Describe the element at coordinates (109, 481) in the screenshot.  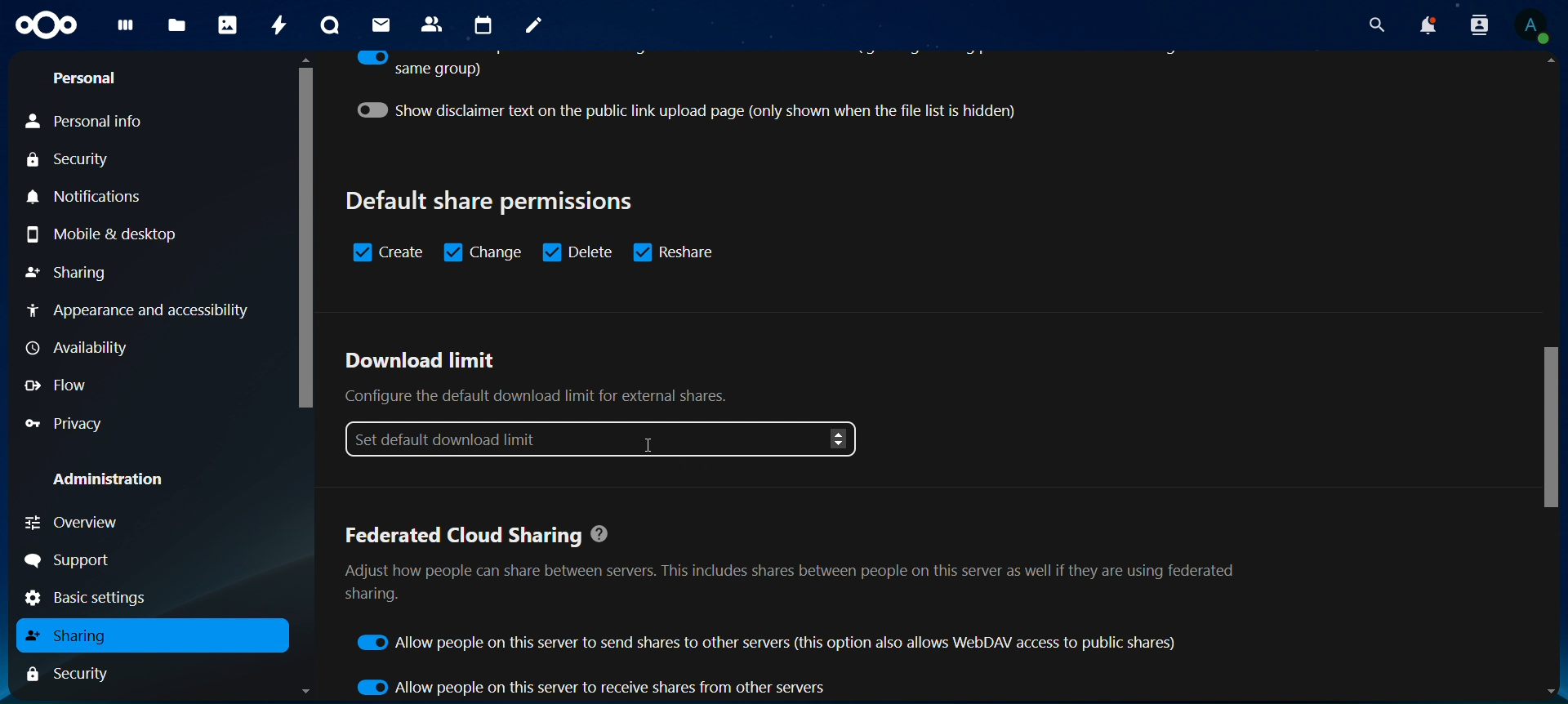
I see `administration` at that location.